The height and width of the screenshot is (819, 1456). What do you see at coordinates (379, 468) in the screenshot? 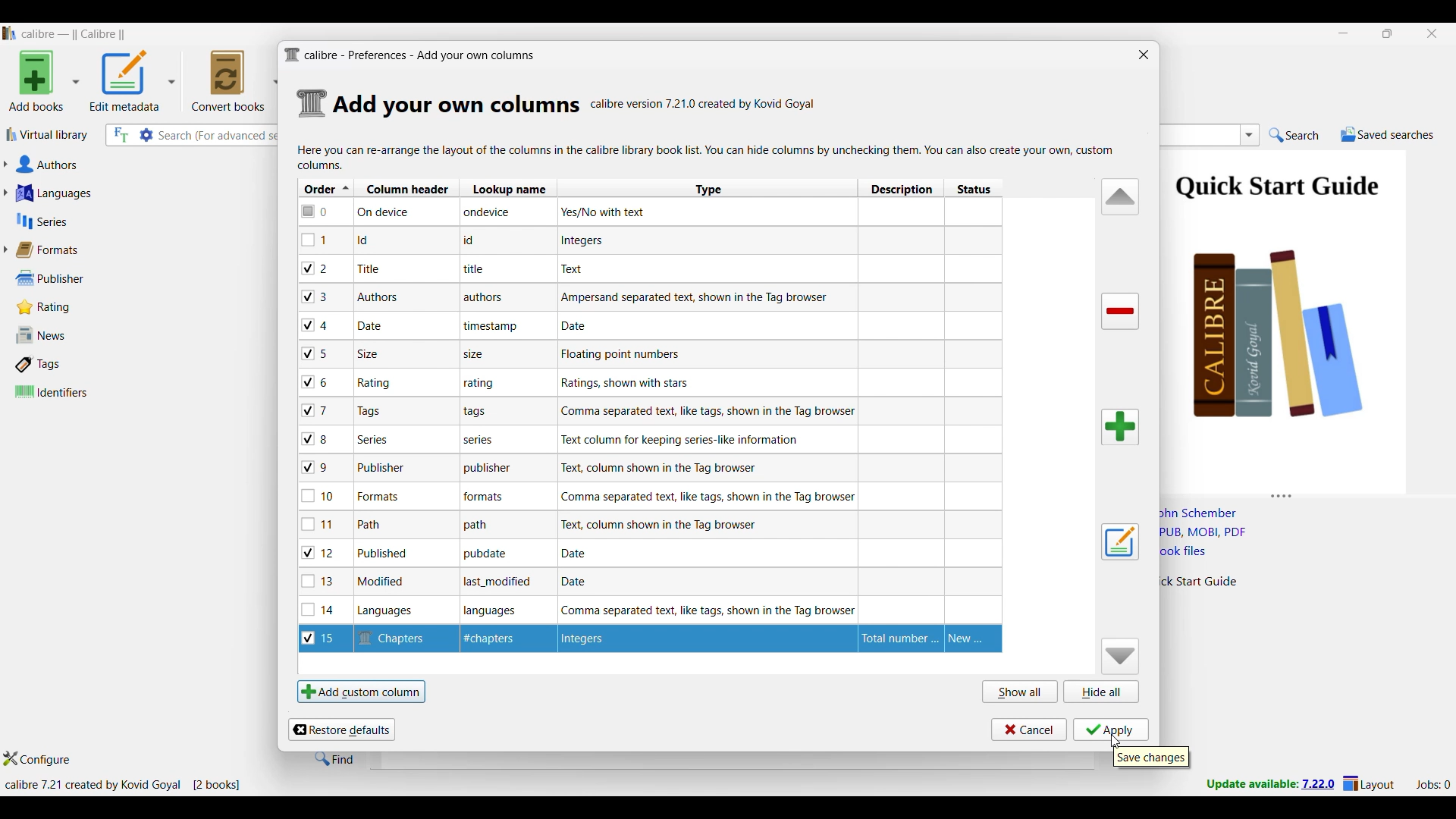
I see `Note` at bounding box center [379, 468].